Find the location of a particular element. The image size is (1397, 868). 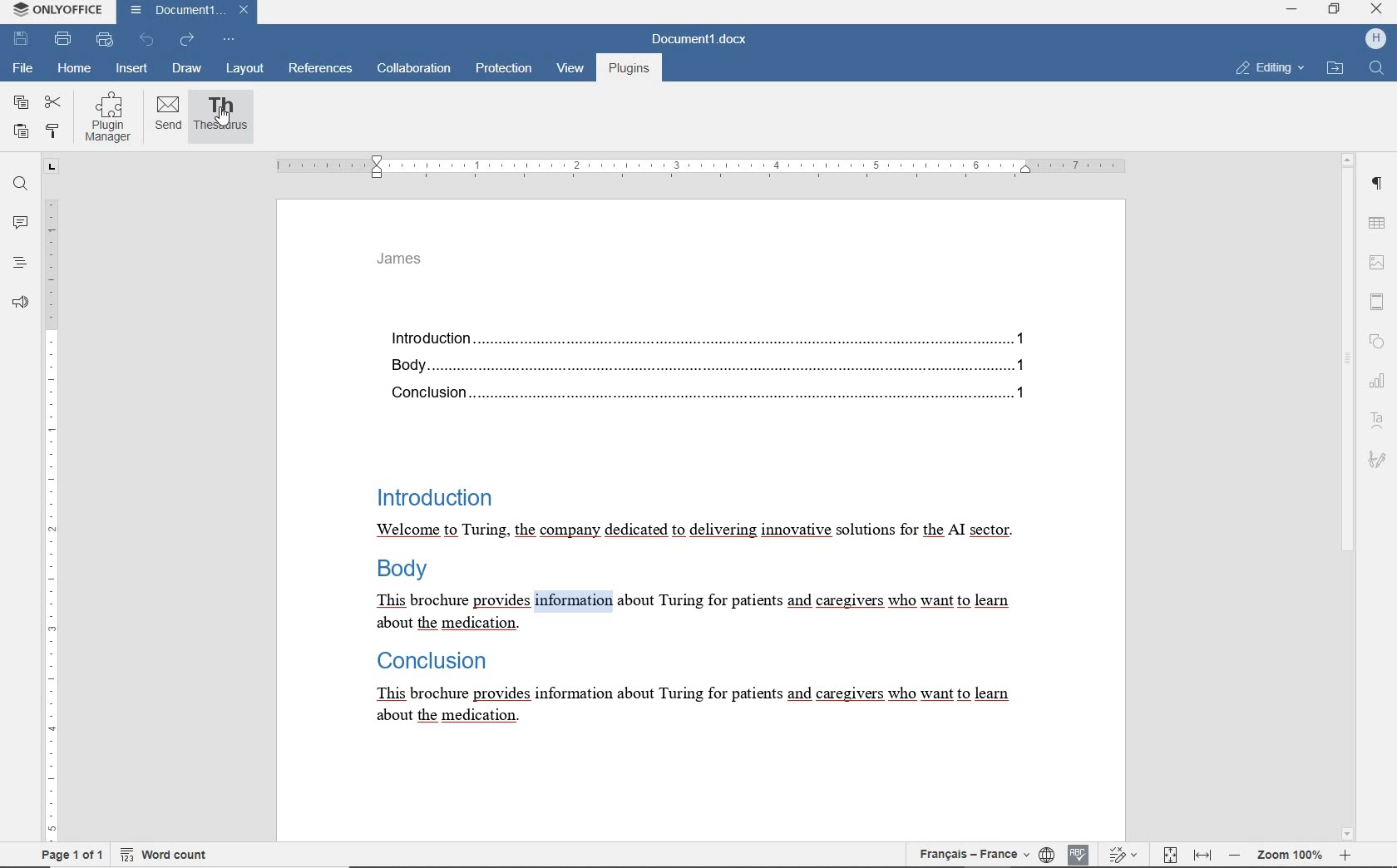

HEADER AND FOOTER is located at coordinates (1377, 301).